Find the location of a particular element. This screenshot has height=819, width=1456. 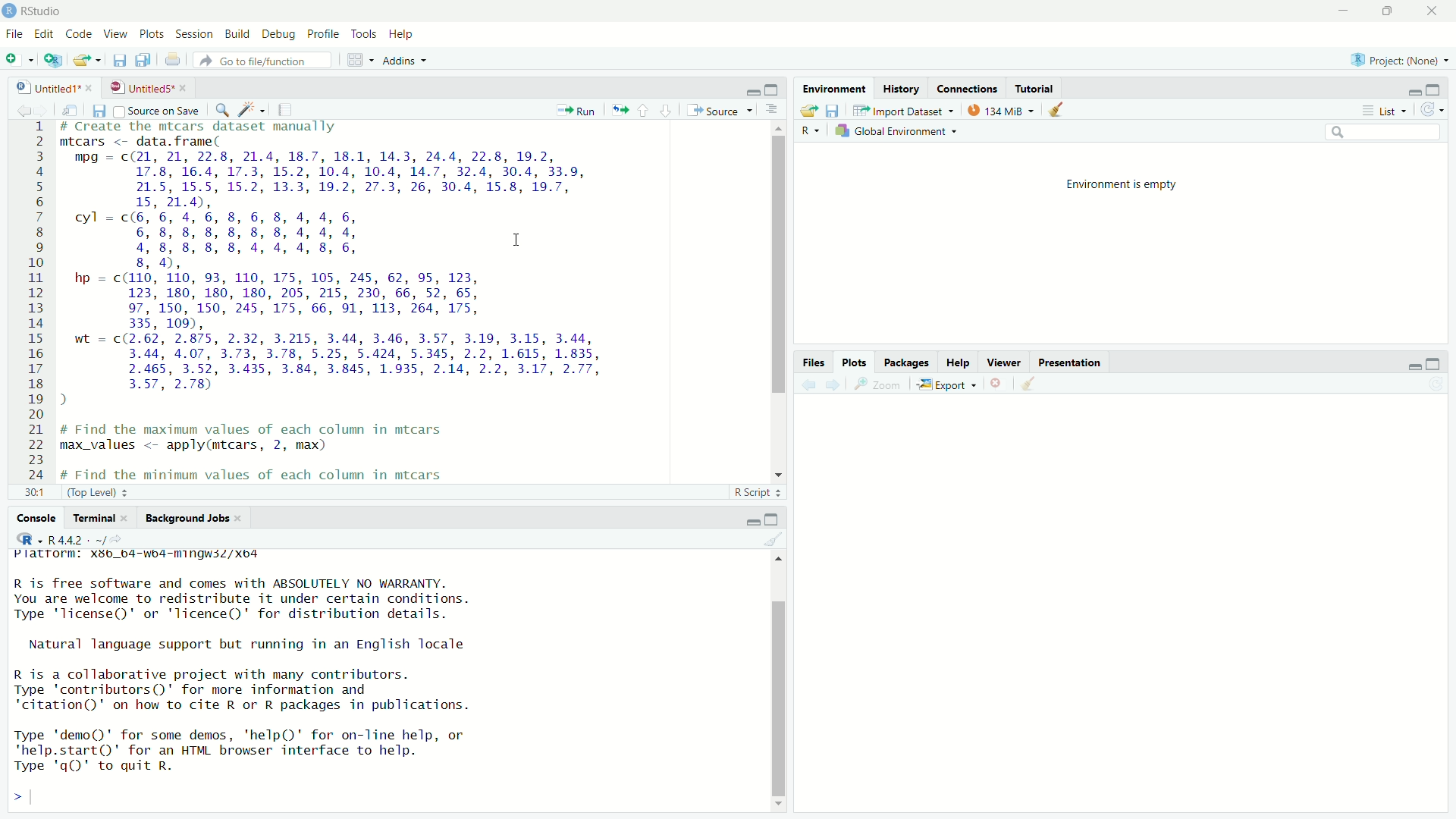

search is located at coordinates (223, 111).